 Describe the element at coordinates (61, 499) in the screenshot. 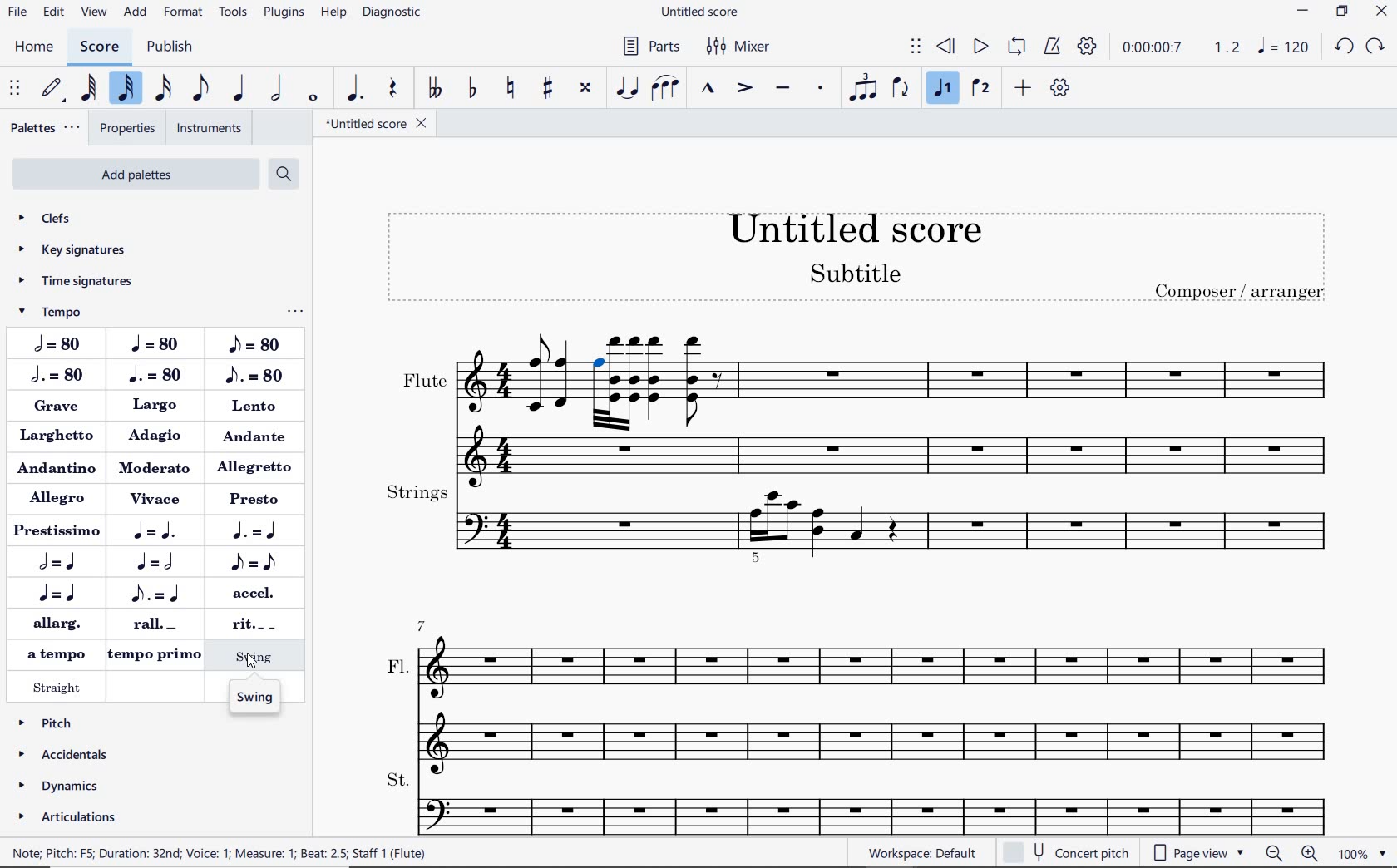

I see `ALLEGRO` at that location.